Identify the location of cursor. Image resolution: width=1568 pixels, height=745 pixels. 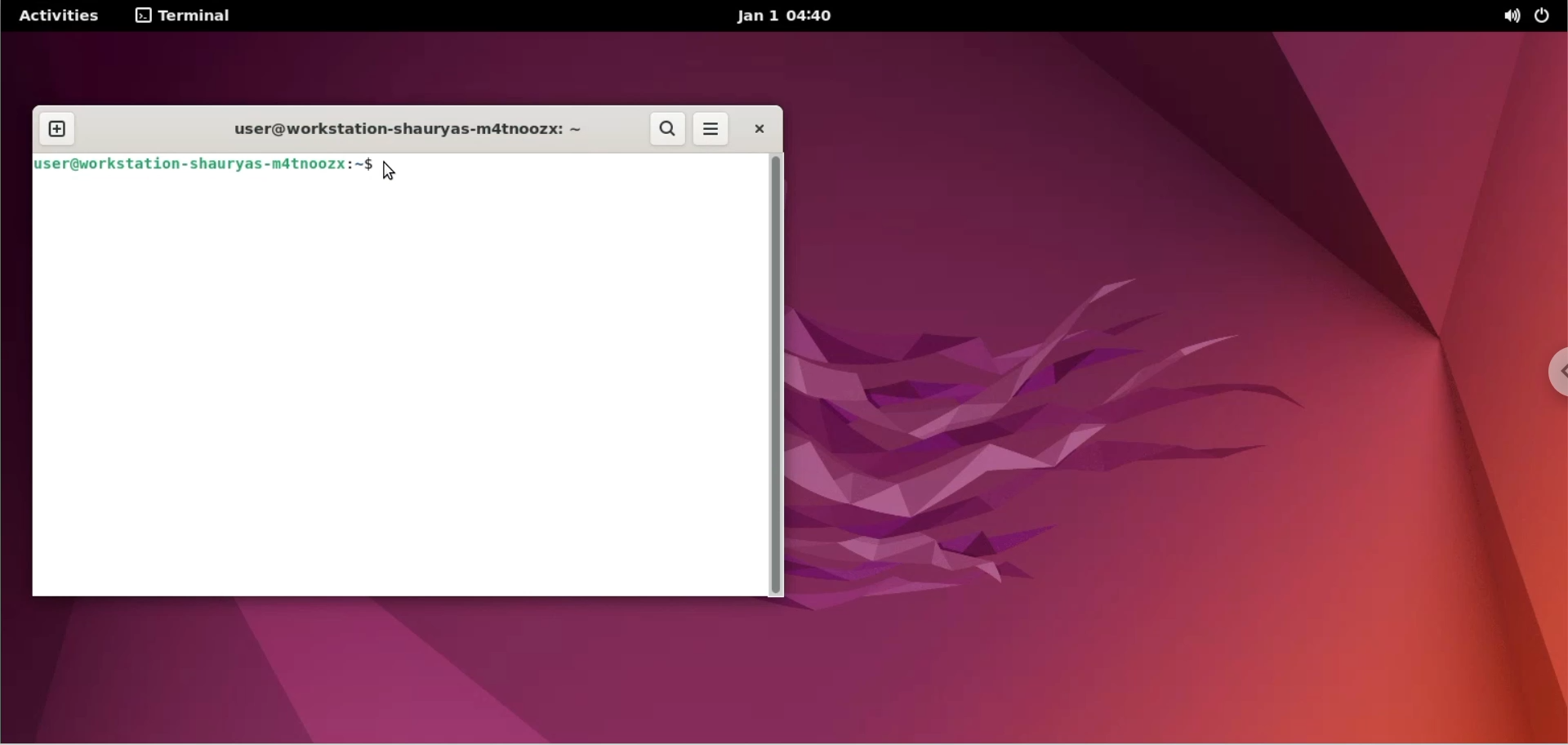
(390, 171).